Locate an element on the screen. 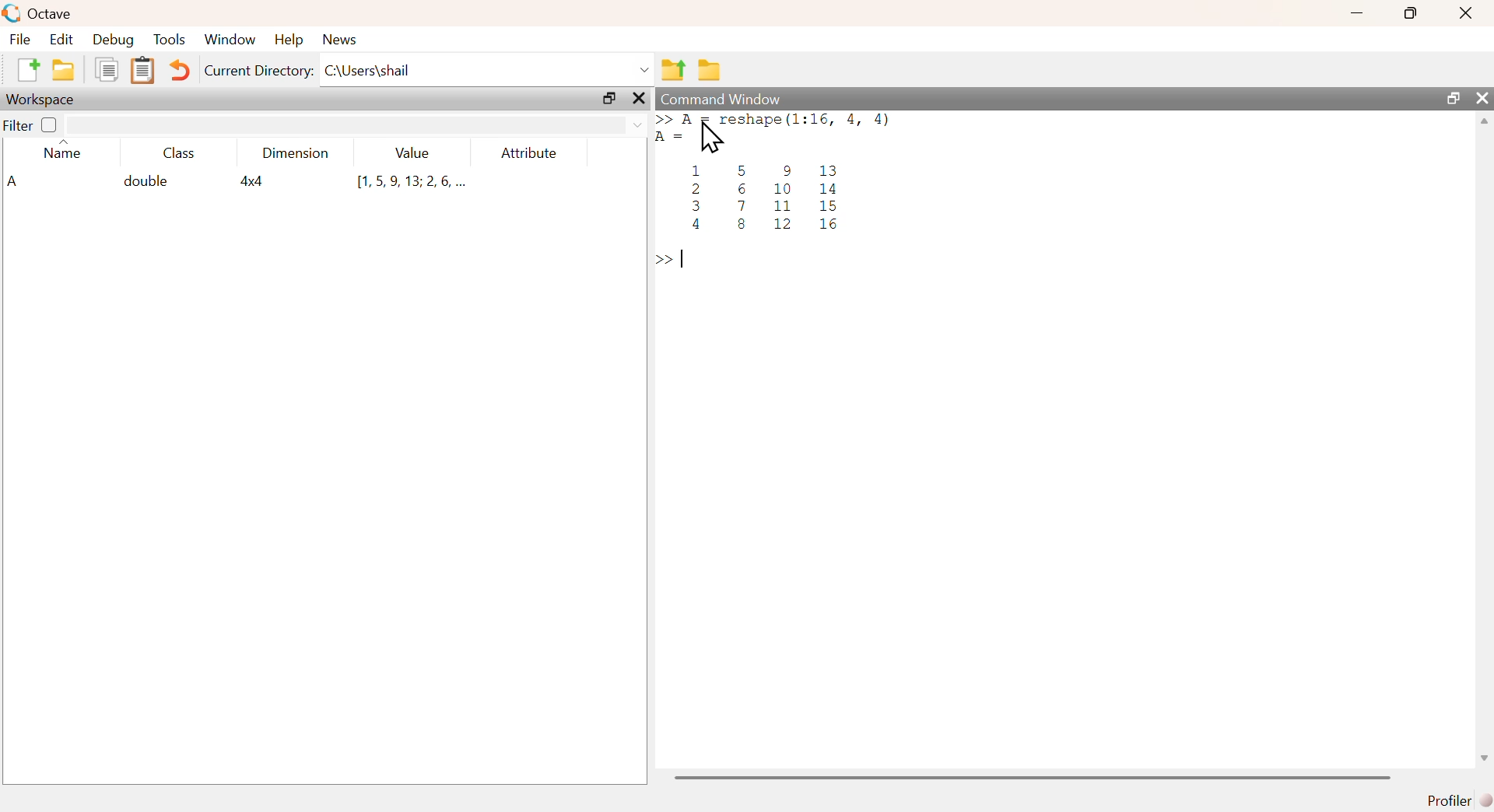 Image resolution: width=1494 pixels, height=812 pixels. one directory up is located at coordinates (673, 70).